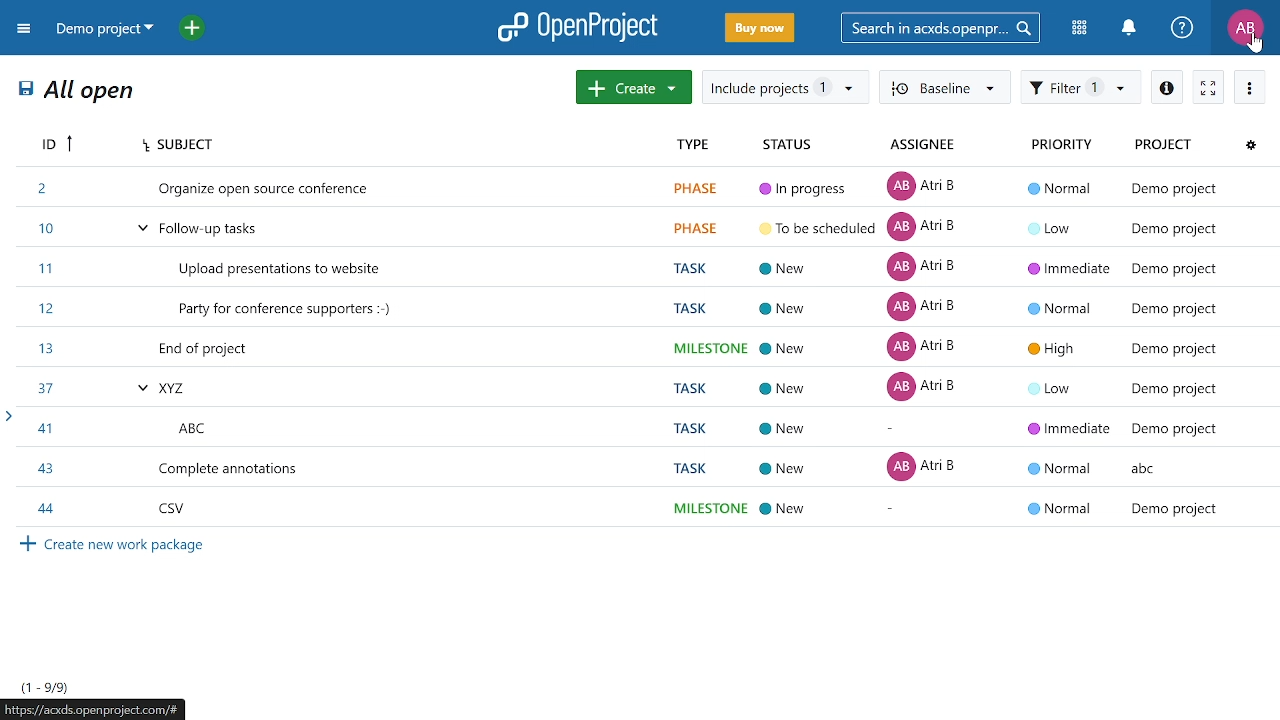 The height and width of the screenshot is (720, 1280). I want to click on status, so click(788, 144).